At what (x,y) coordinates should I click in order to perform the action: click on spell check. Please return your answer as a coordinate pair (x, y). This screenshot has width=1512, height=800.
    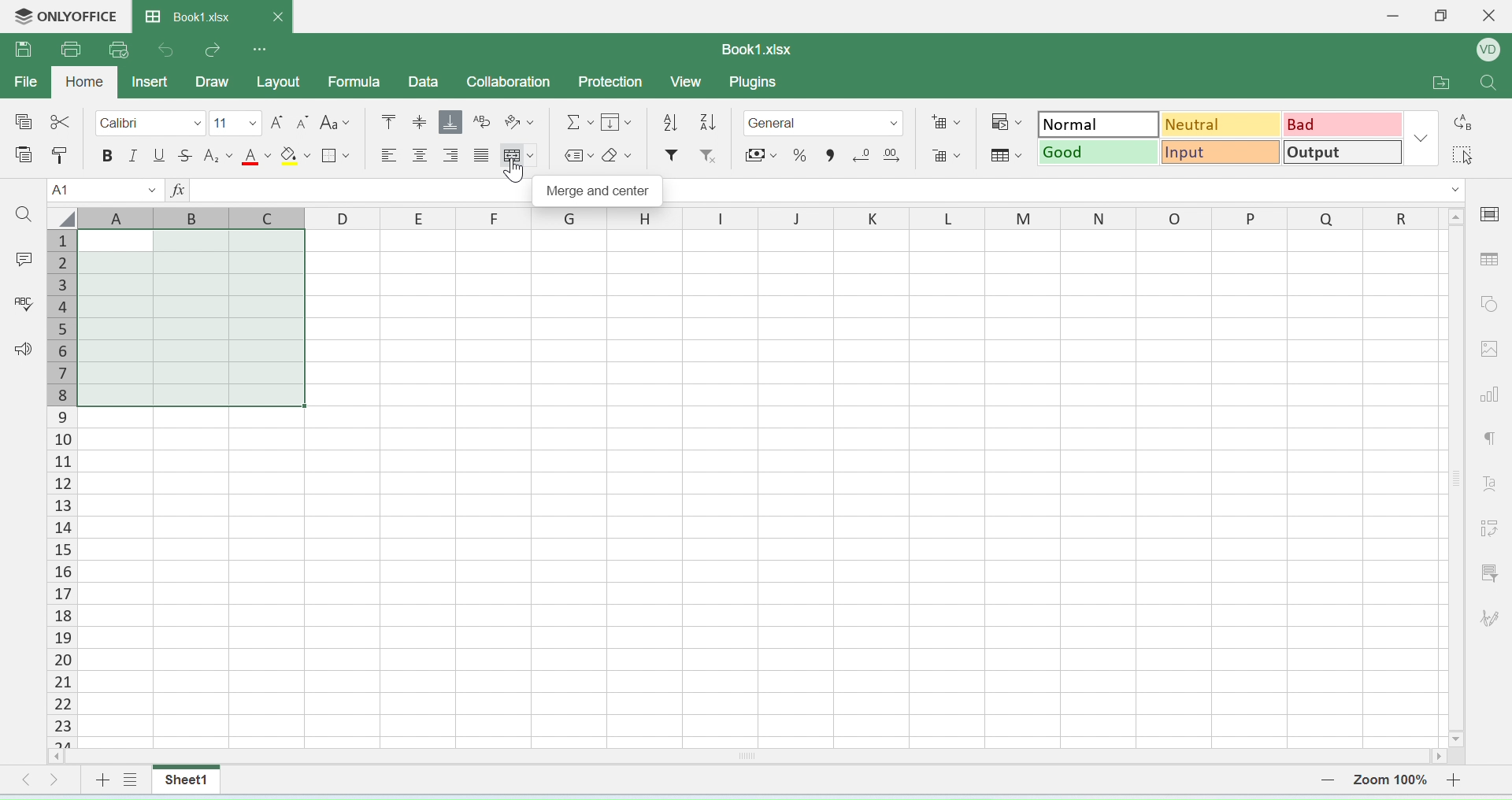
    Looking at the image, I should click on (24, 302).